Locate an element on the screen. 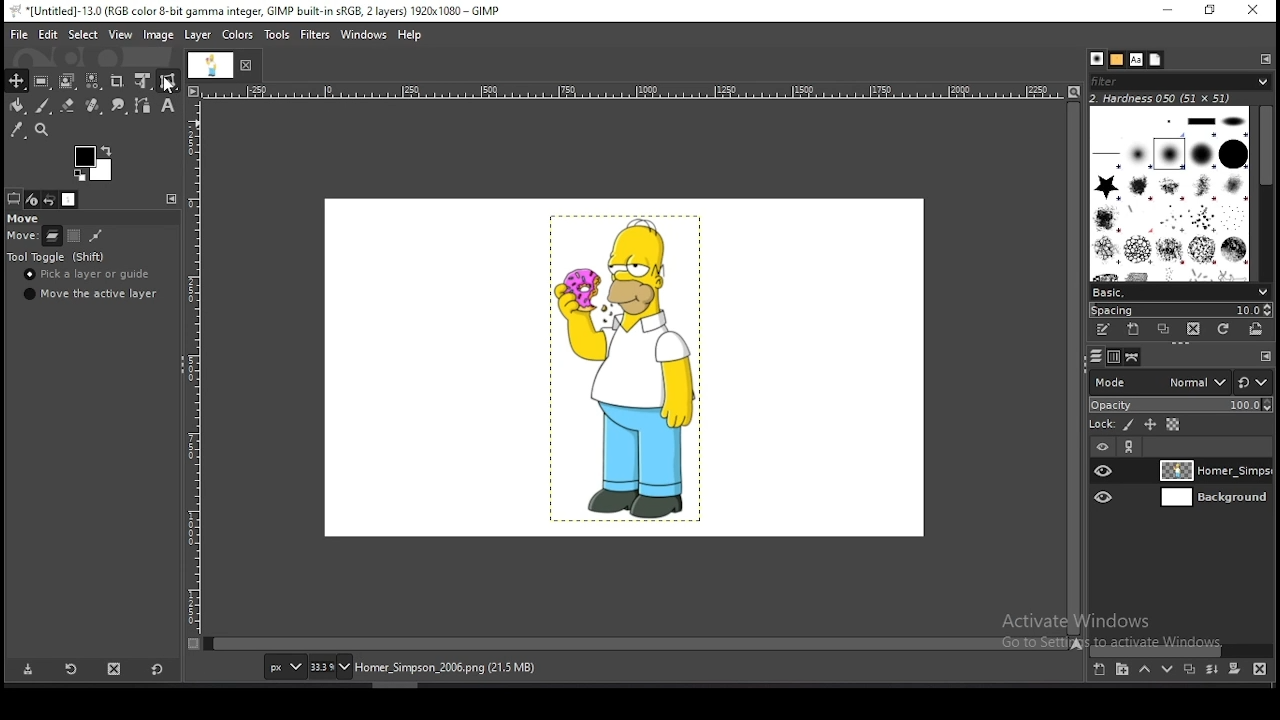 This screenshot has height=720, width=1280. edit is located at coordinates (48, 35).